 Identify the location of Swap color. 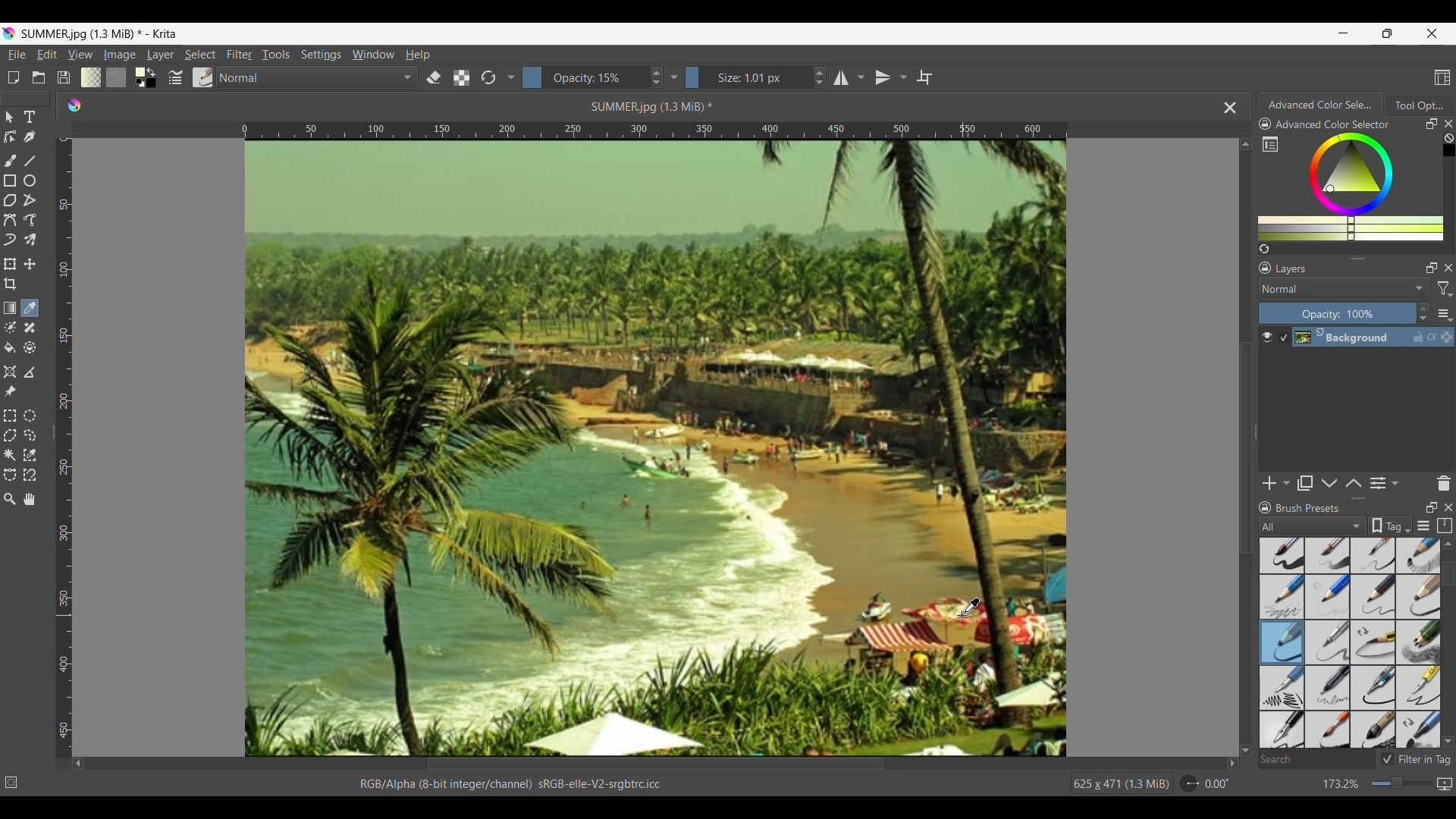
(151, 72).